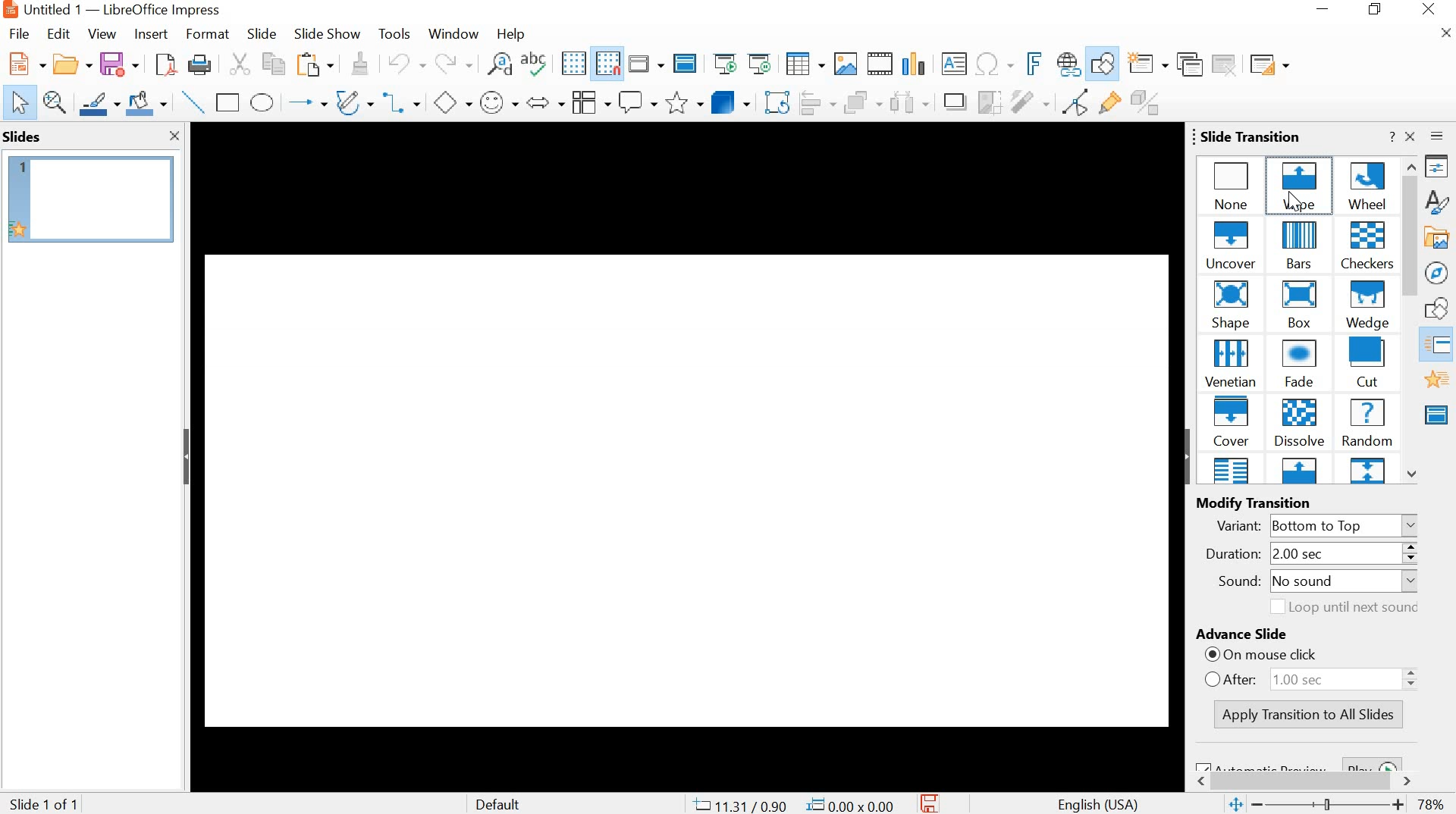 The image size is (1456, 814). Describe the element at coordinates (404, 64) in the screenshot. I see `UNDO` at that location.